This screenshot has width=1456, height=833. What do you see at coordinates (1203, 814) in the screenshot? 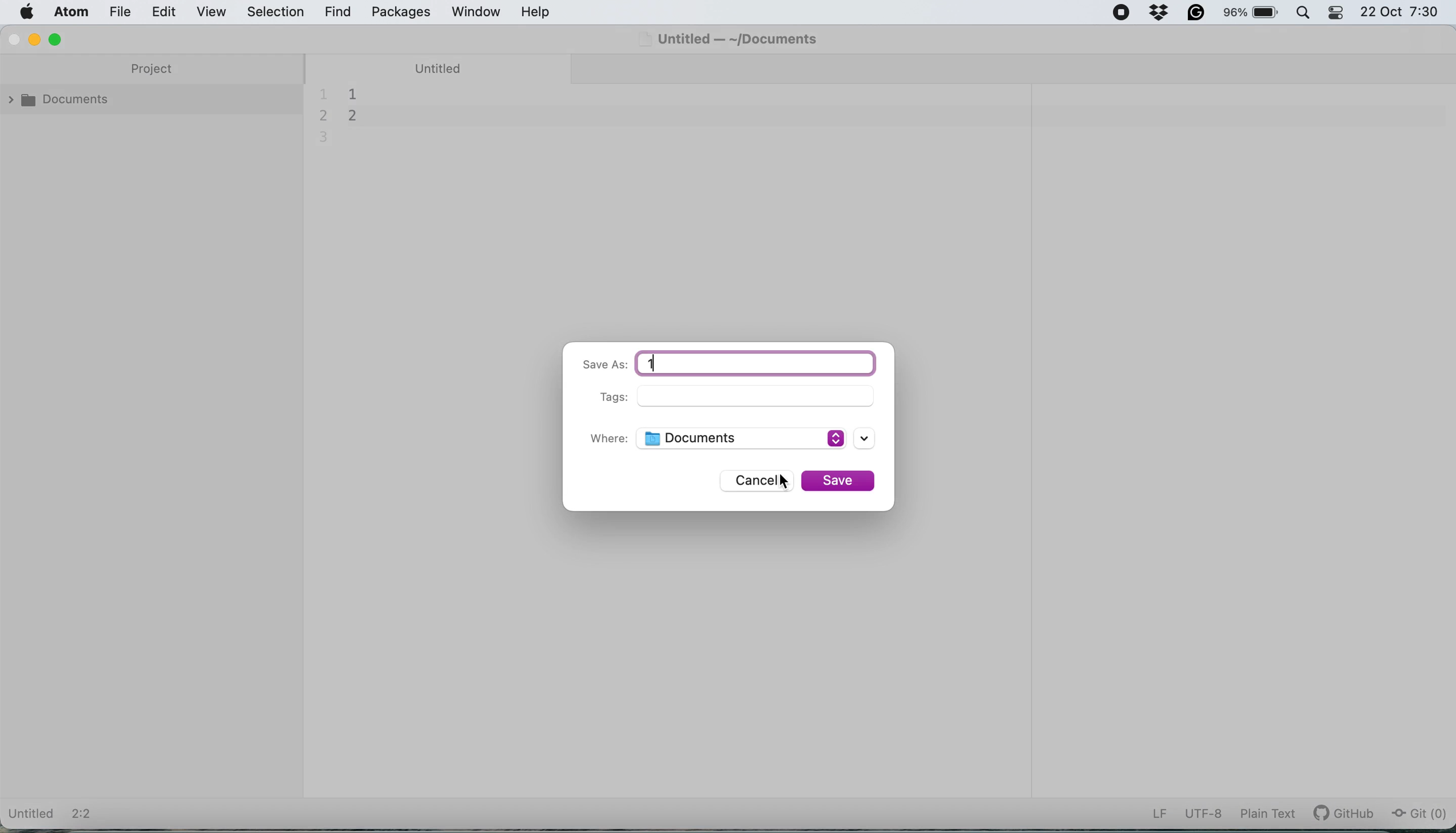
I see `utf-8` at bounding box center [1203, 814].